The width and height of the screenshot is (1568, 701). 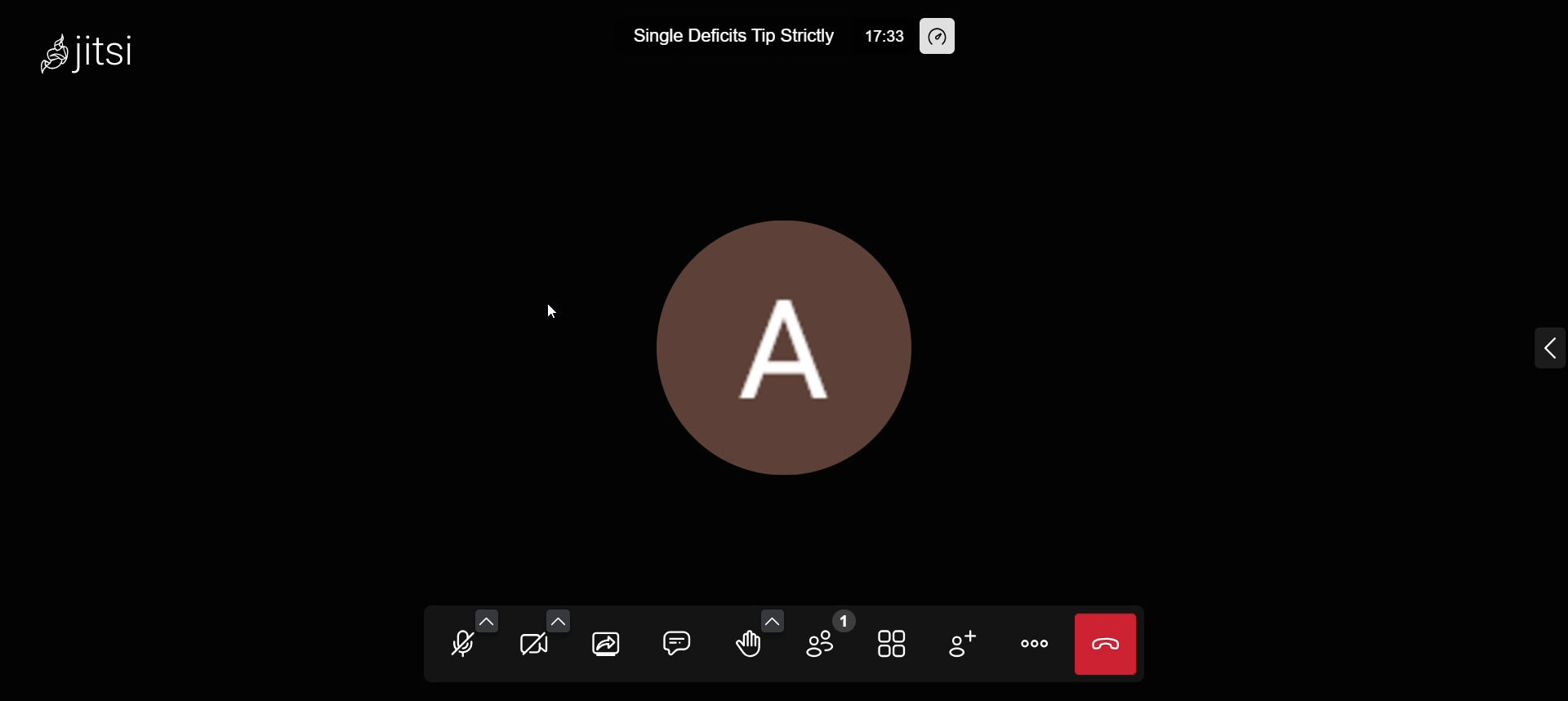 I want to click on more reaction option, so click(x=772, y=622).